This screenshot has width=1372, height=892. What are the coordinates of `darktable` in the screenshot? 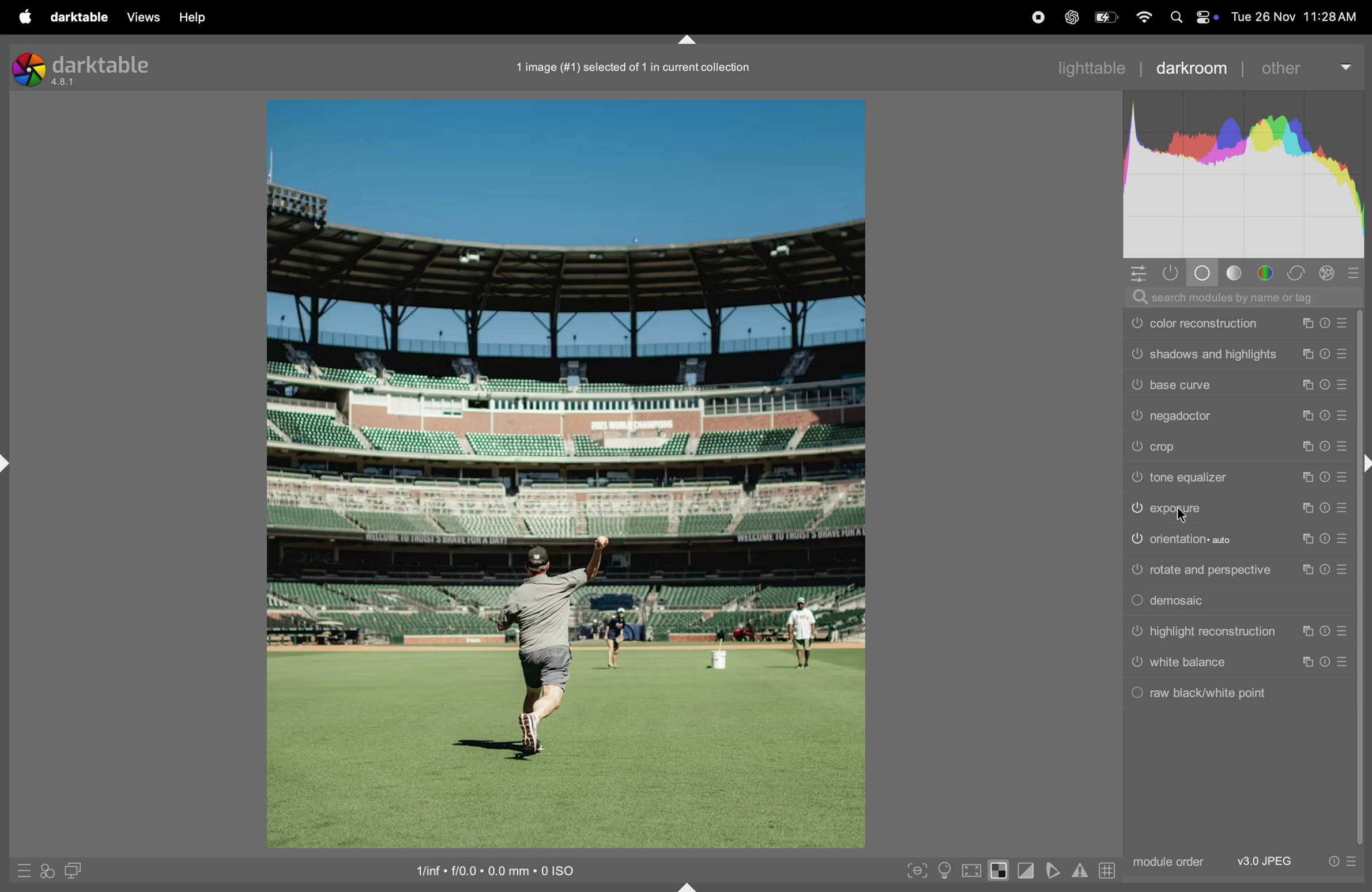 It's located at (103, 64).